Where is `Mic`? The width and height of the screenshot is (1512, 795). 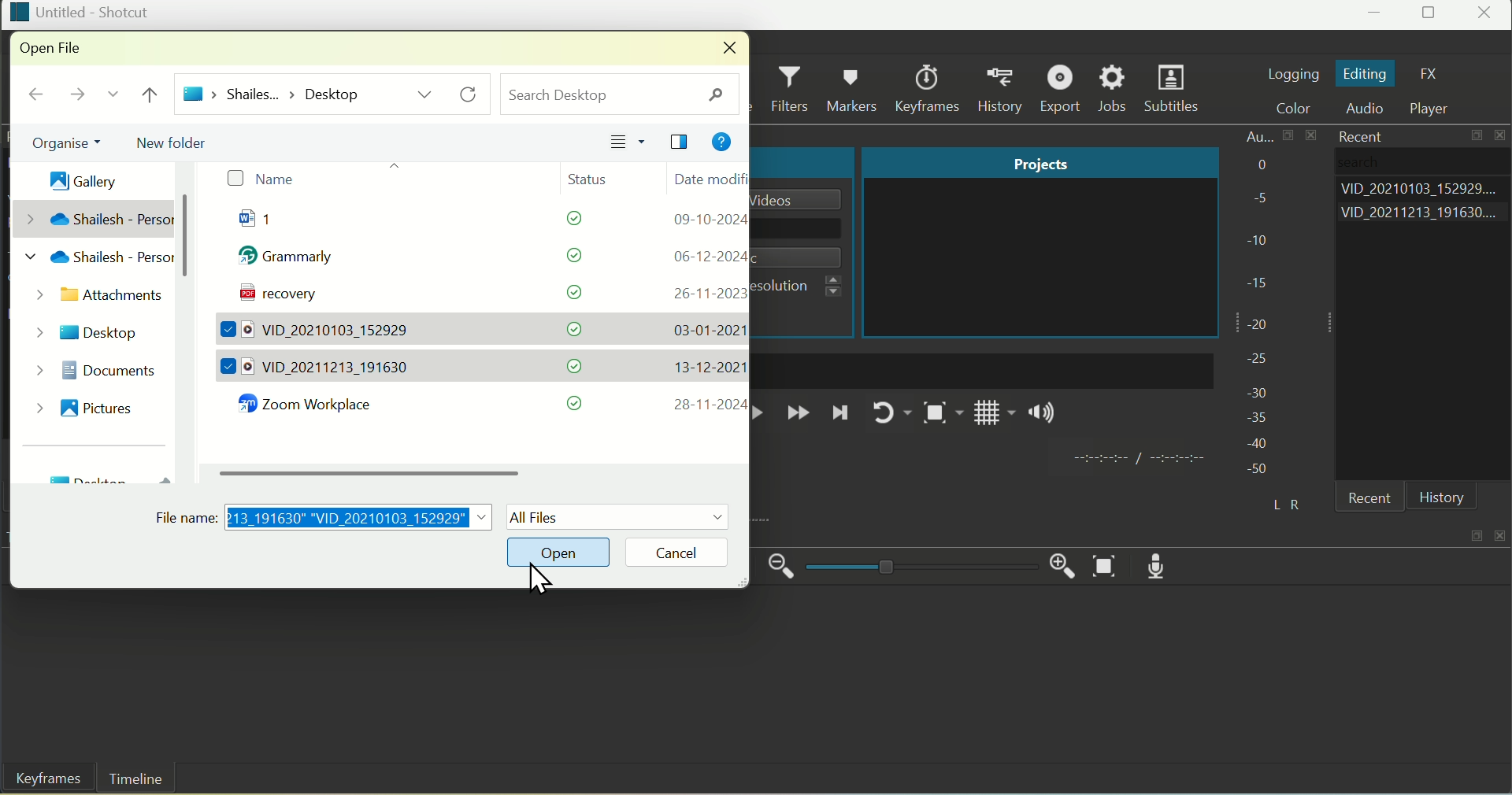 Mic is located at coordinates (1163, 565).